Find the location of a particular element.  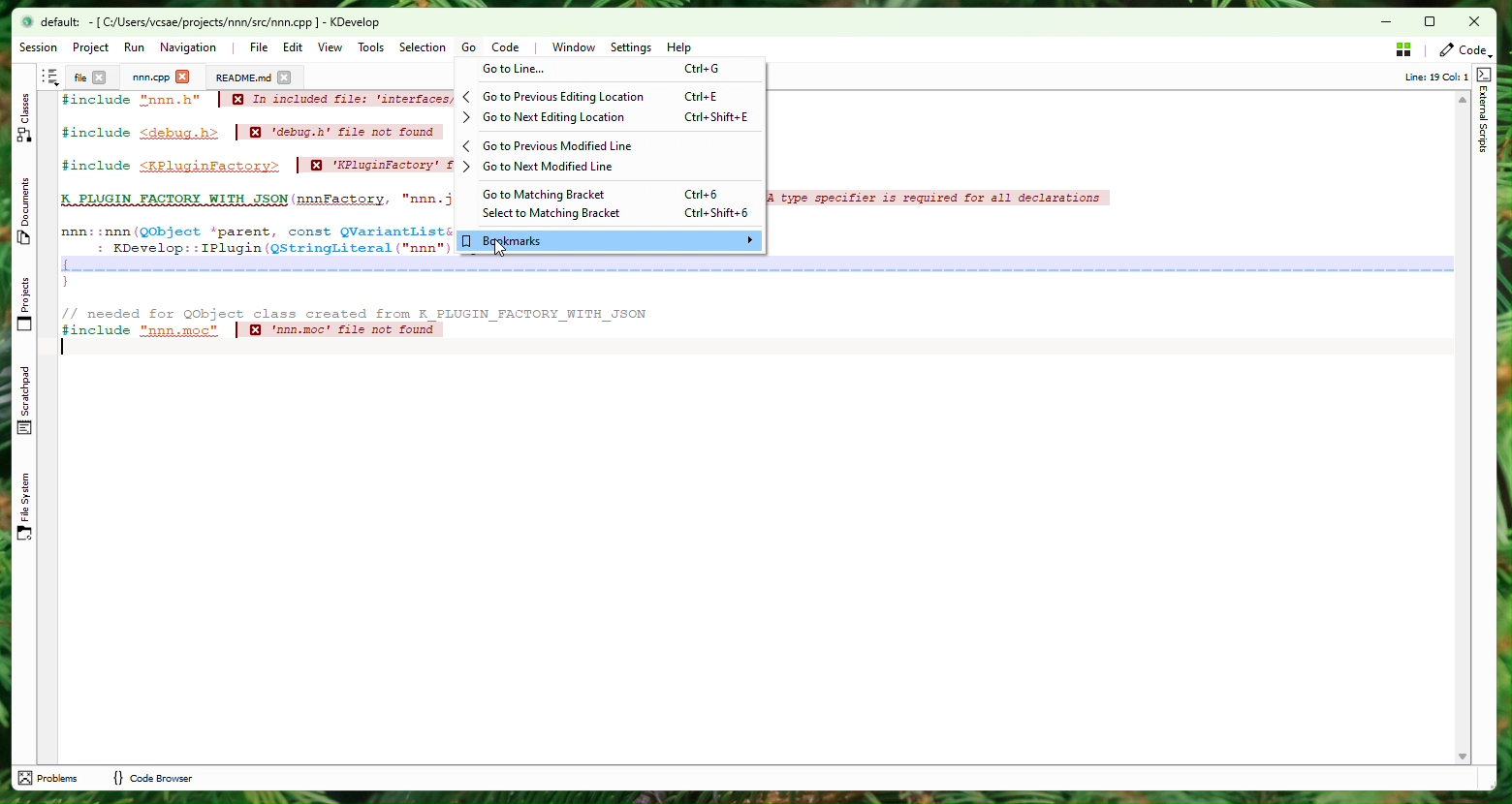

close tab is located at coordinates (285, 77).